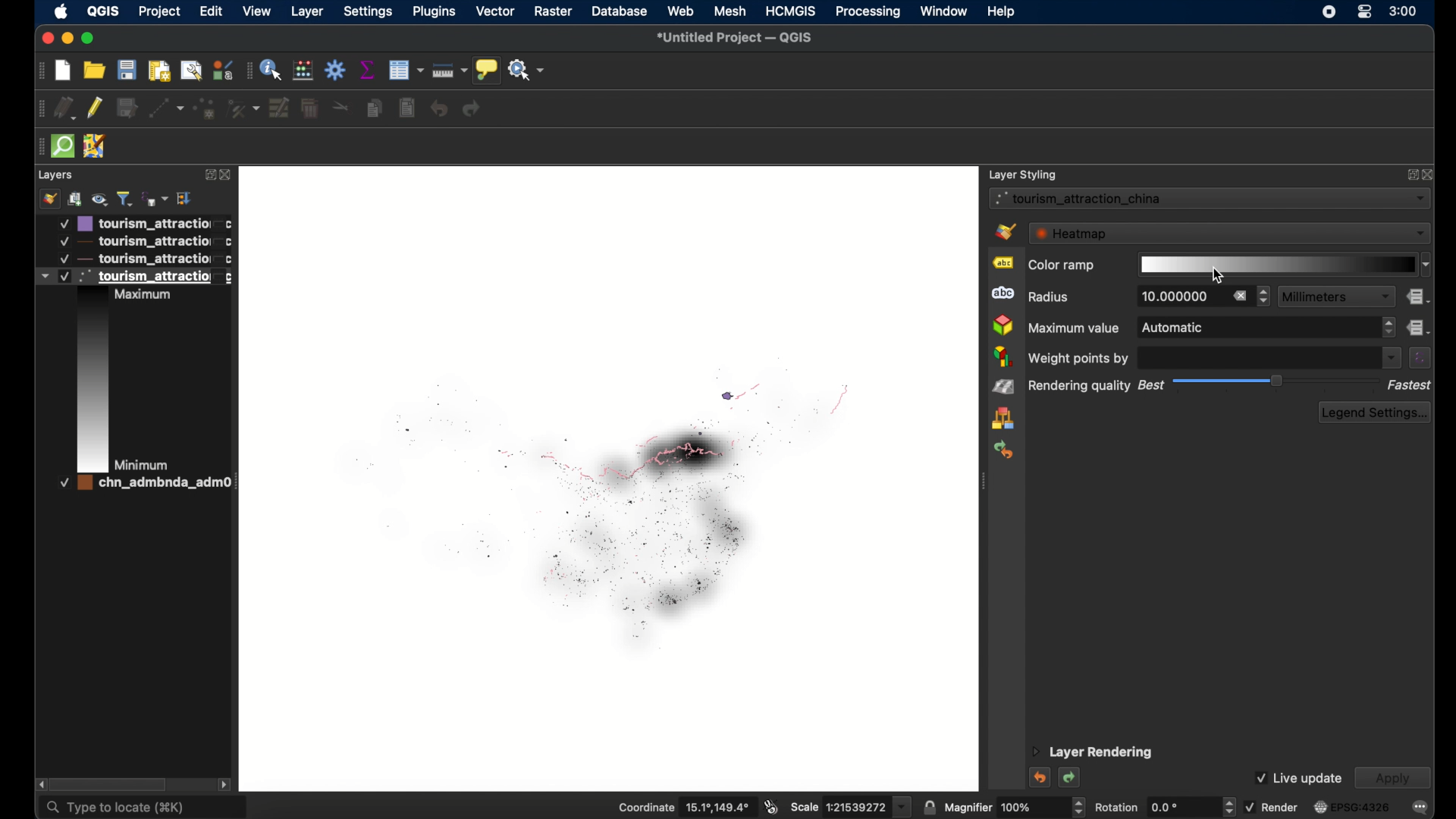  I want to click on digitize with segment, so click(168, 108).